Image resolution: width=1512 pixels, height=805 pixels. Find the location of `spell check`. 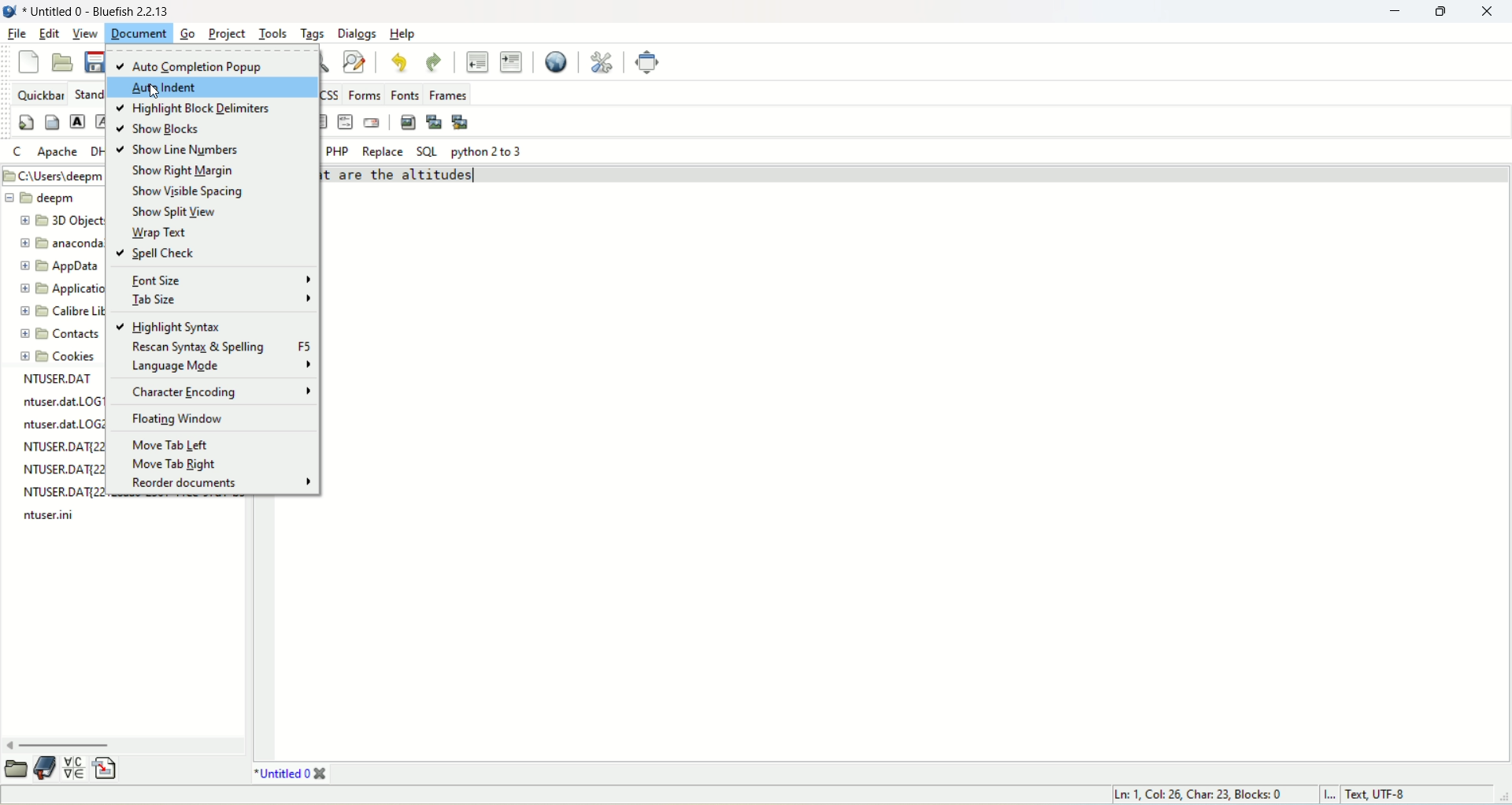

spell check is located at coordinates (158, 252).